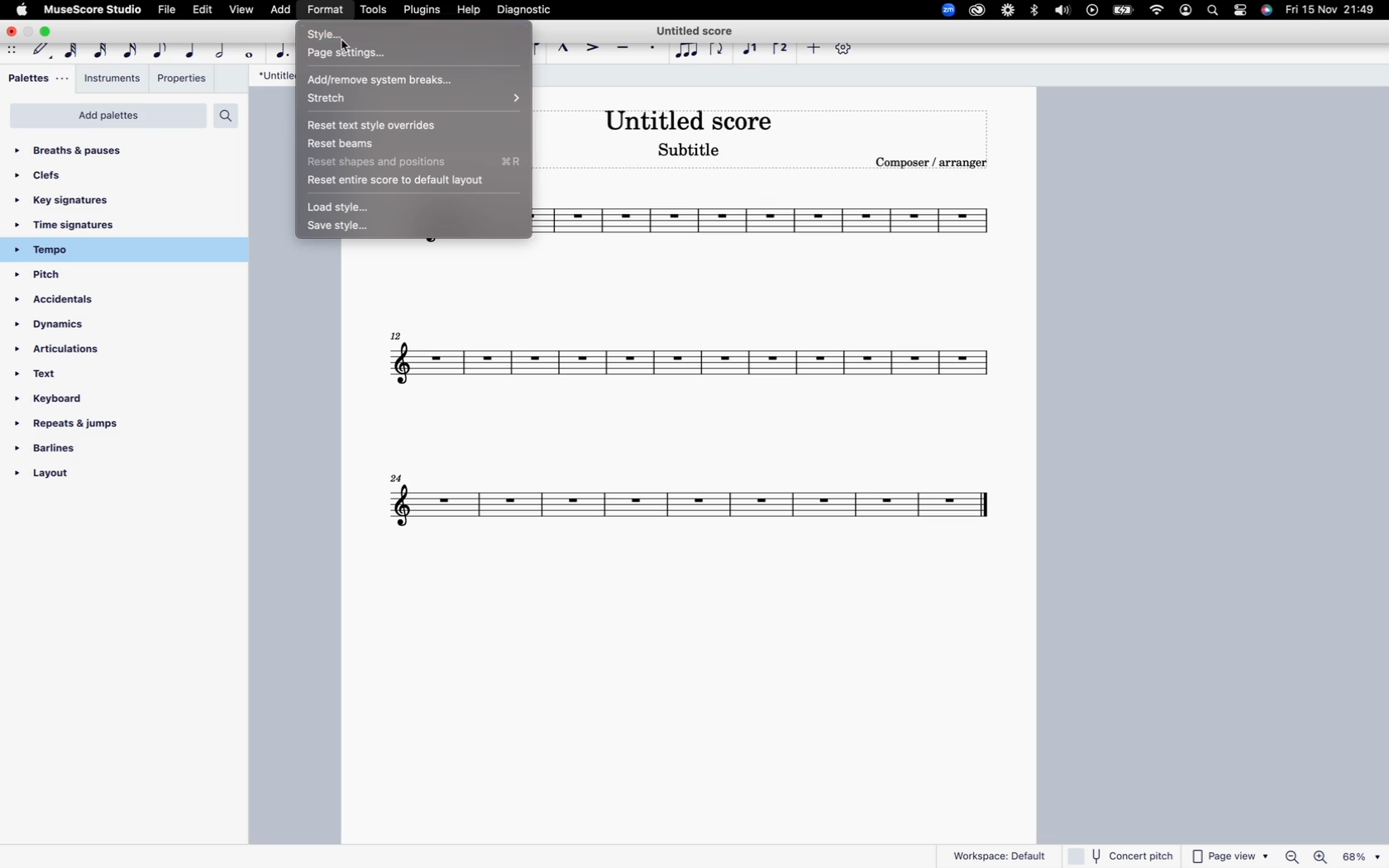  What do you see at coordinates (405, 160) in the screenshot?
I see `reset shapes and positions` at bounding box center [405, 160].